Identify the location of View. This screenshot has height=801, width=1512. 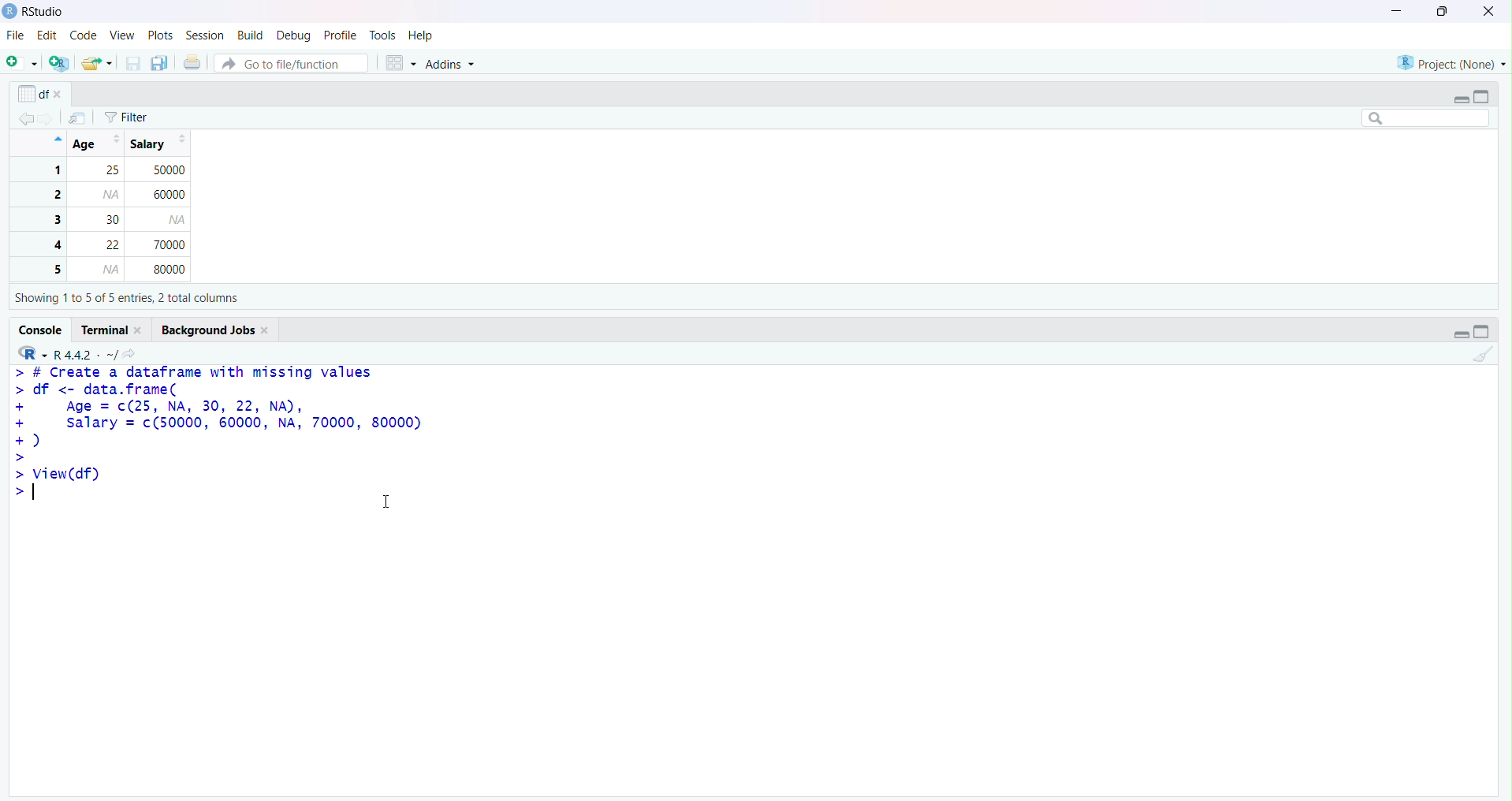
(121, 36).